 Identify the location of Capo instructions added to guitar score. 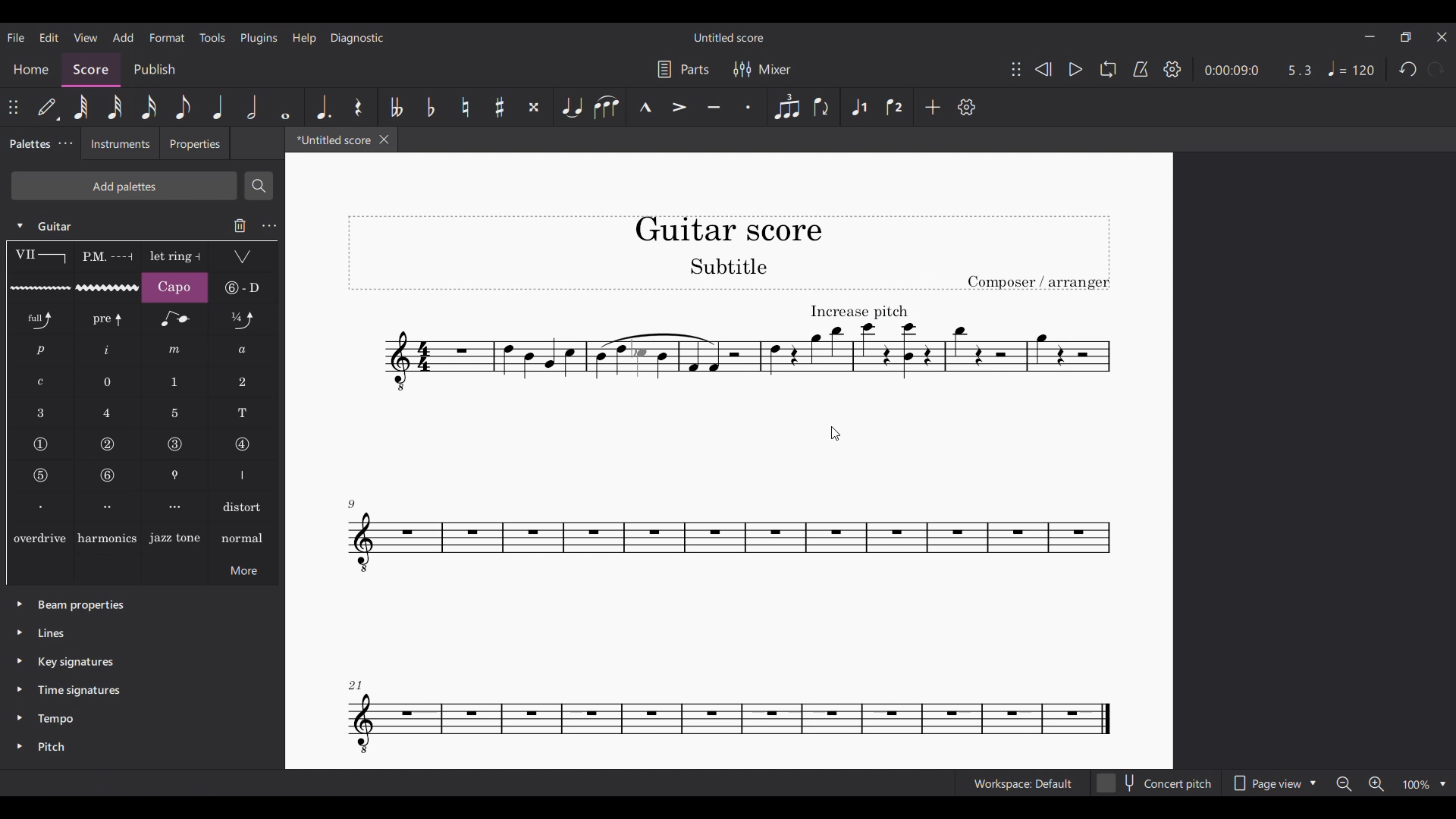
(744, 348).